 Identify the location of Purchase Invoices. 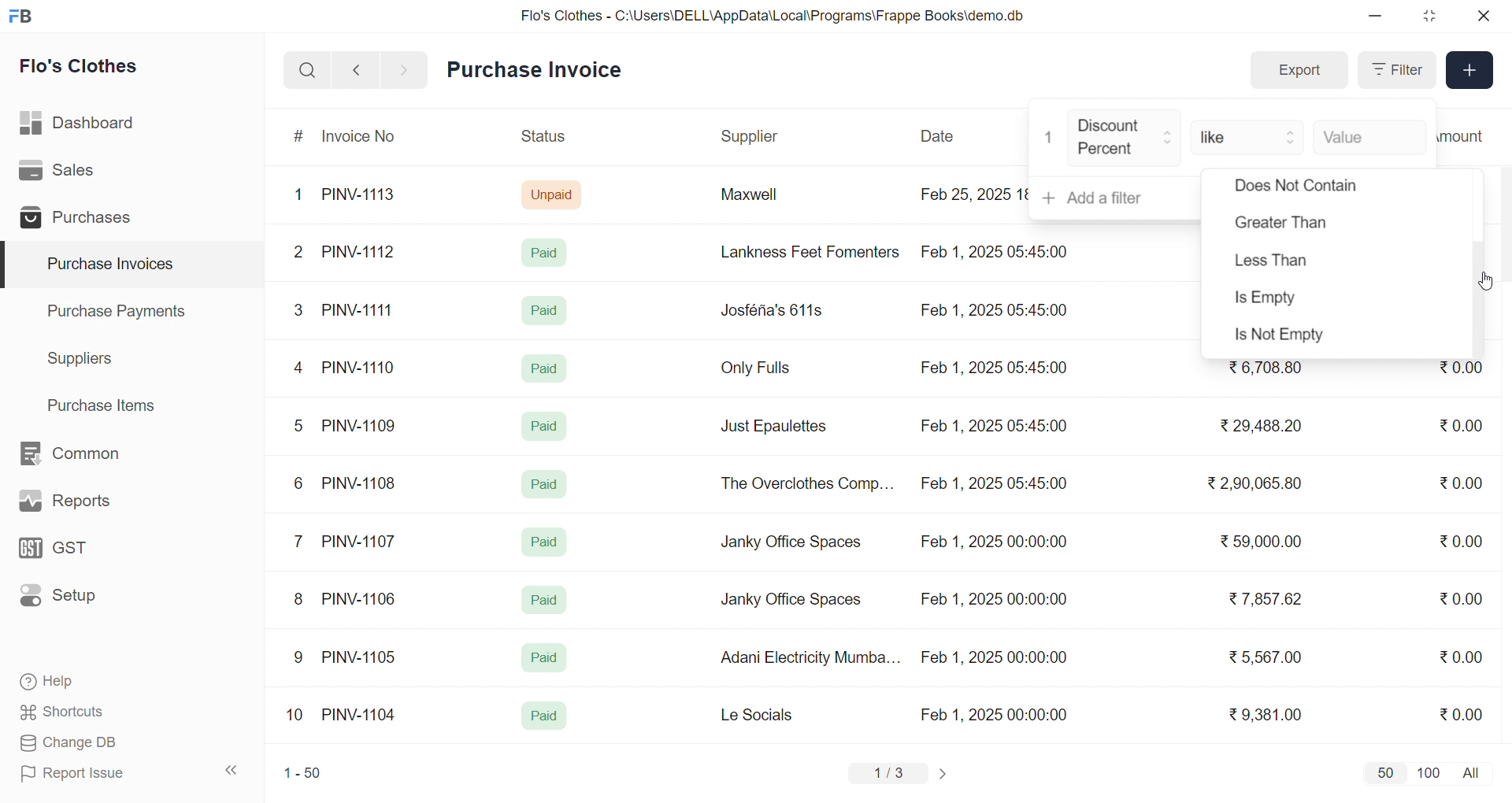
(108, 265).